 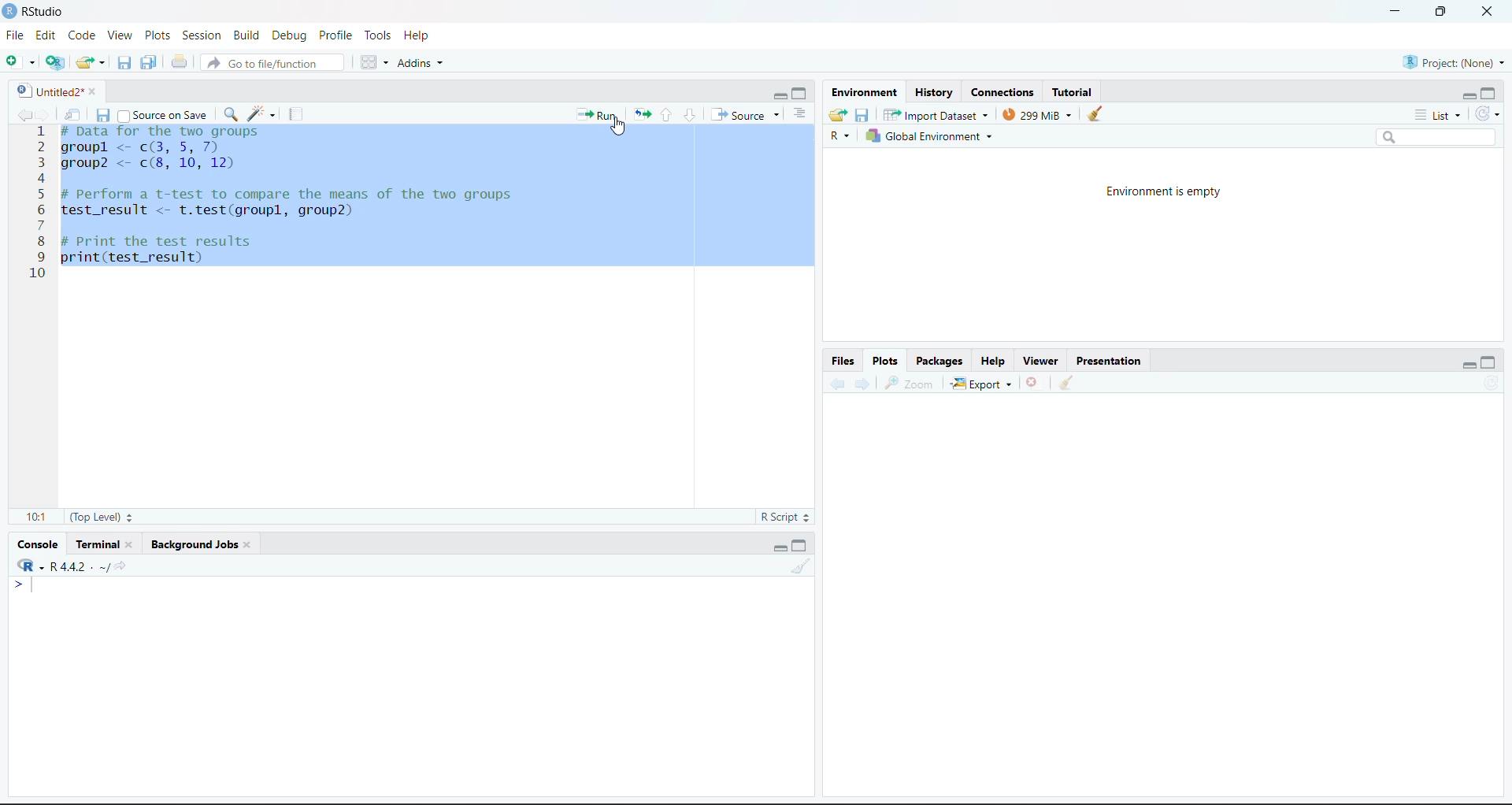 What do you see at coordinates (1035, 381) in the screenshot?
I see `remove the current plot` at bounding box center [1035, 381].